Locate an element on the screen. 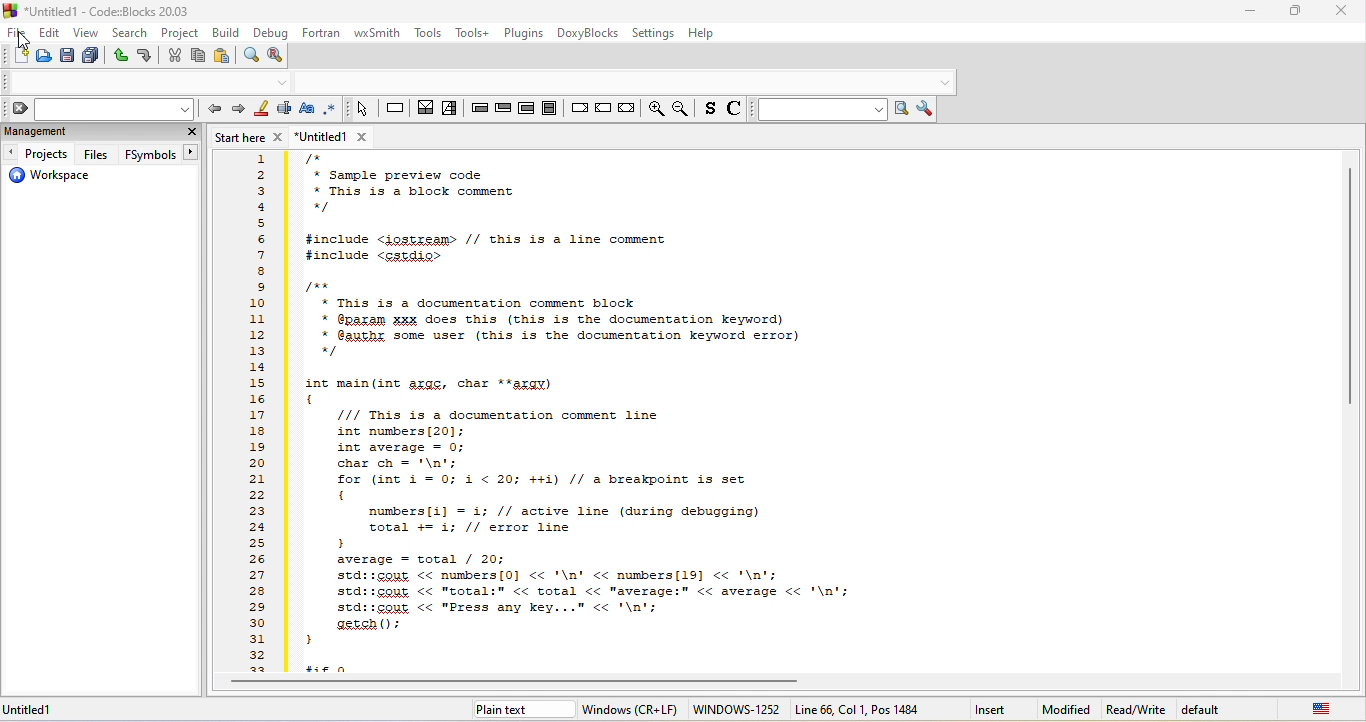  select is located at coordinates (361, 110).